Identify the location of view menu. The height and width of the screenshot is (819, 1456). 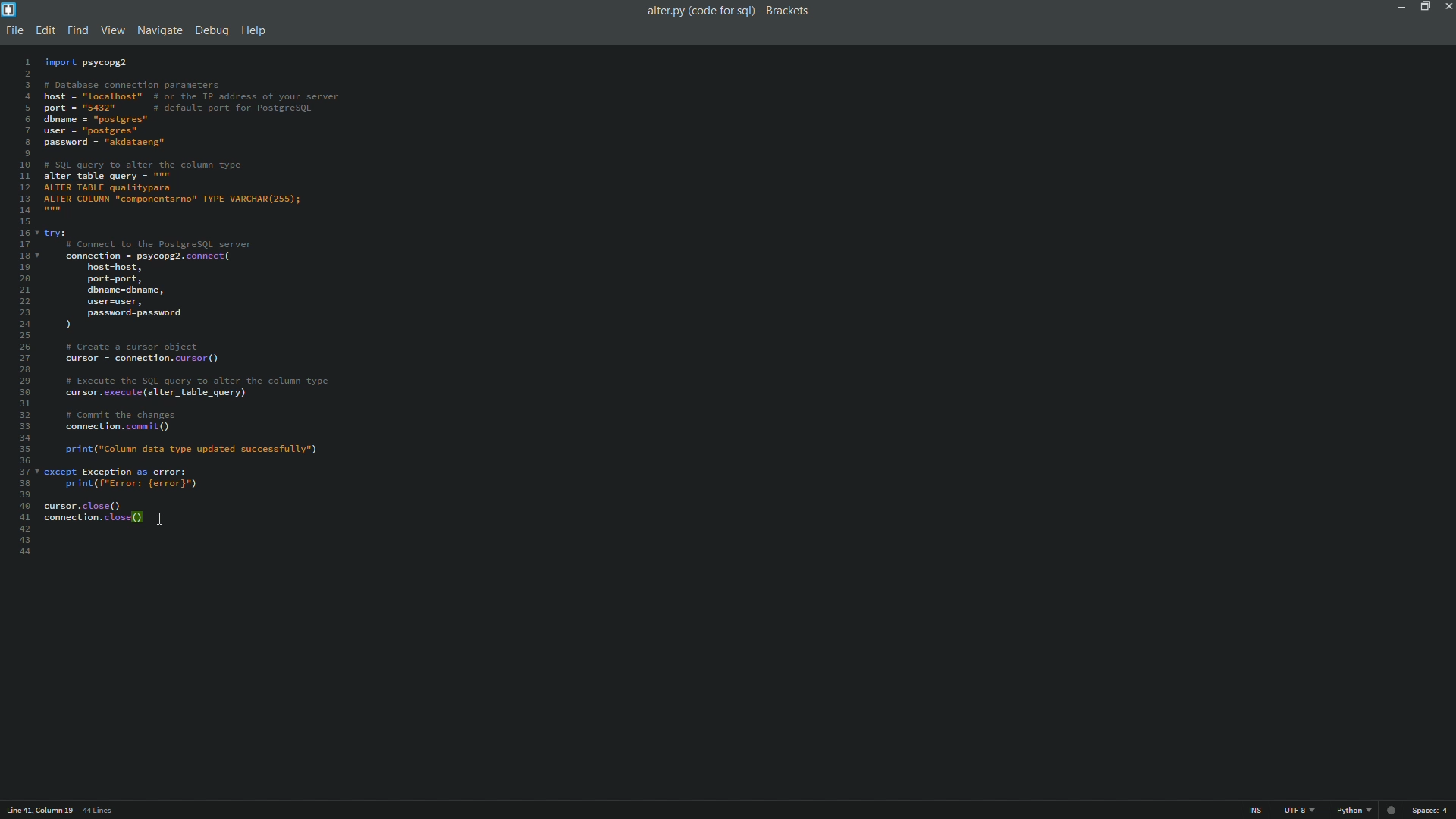
(115, 30).